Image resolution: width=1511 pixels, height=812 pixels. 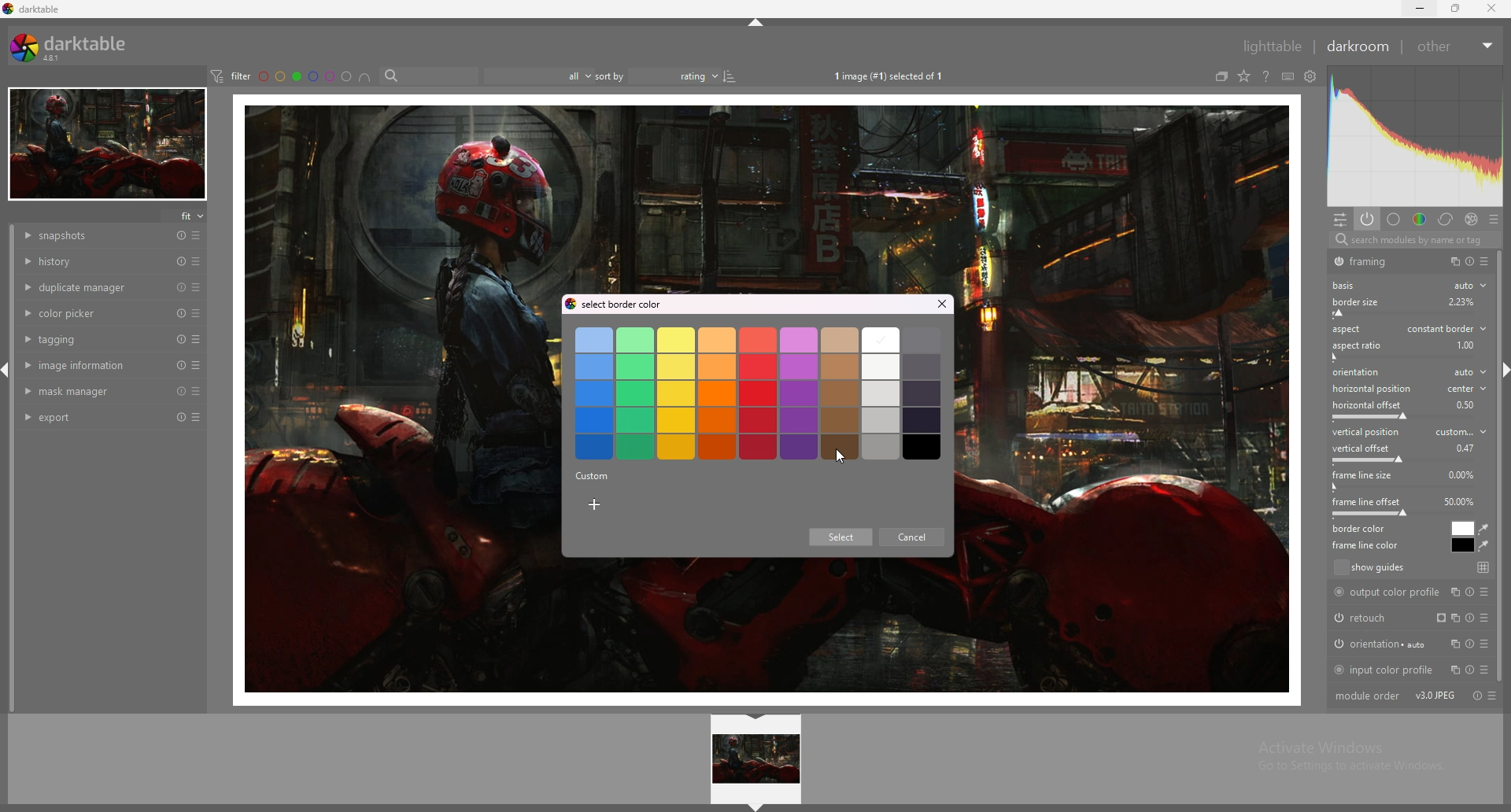 I want to click on presets, so click(x=198, y=313).